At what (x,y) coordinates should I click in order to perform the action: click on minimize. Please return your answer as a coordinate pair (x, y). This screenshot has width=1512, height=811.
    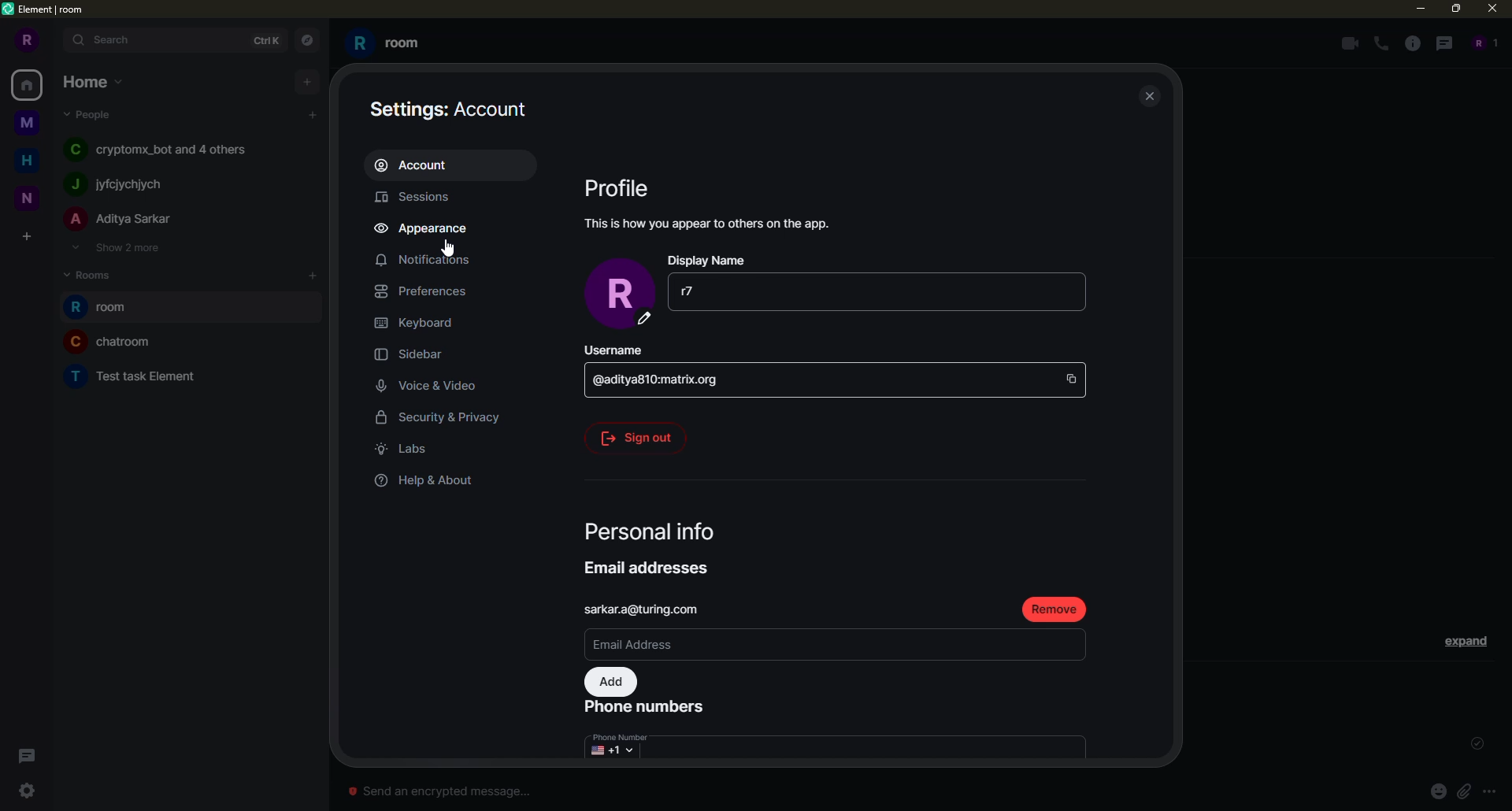
    Looking at the image, I should click on (1415, 8).